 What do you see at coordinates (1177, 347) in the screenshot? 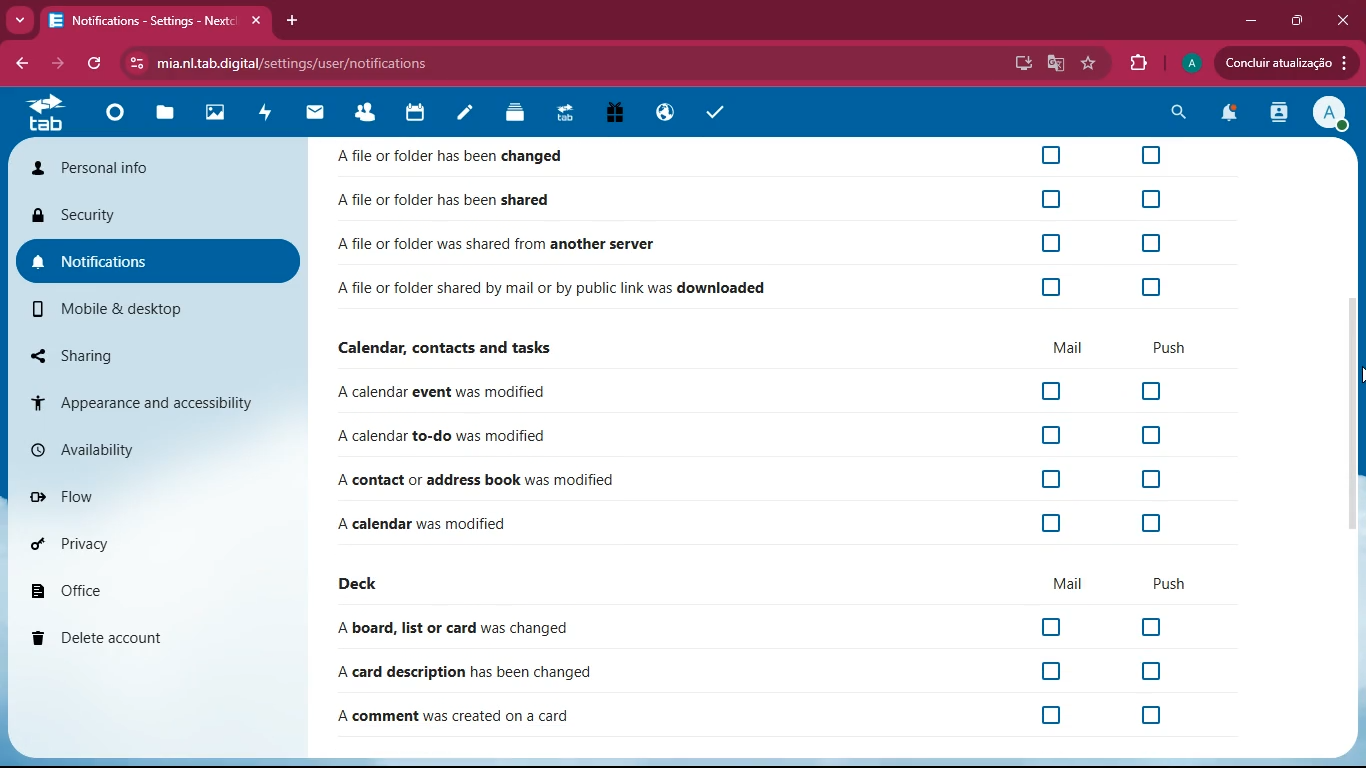
I see `push` at bounding box center [1177, 347].